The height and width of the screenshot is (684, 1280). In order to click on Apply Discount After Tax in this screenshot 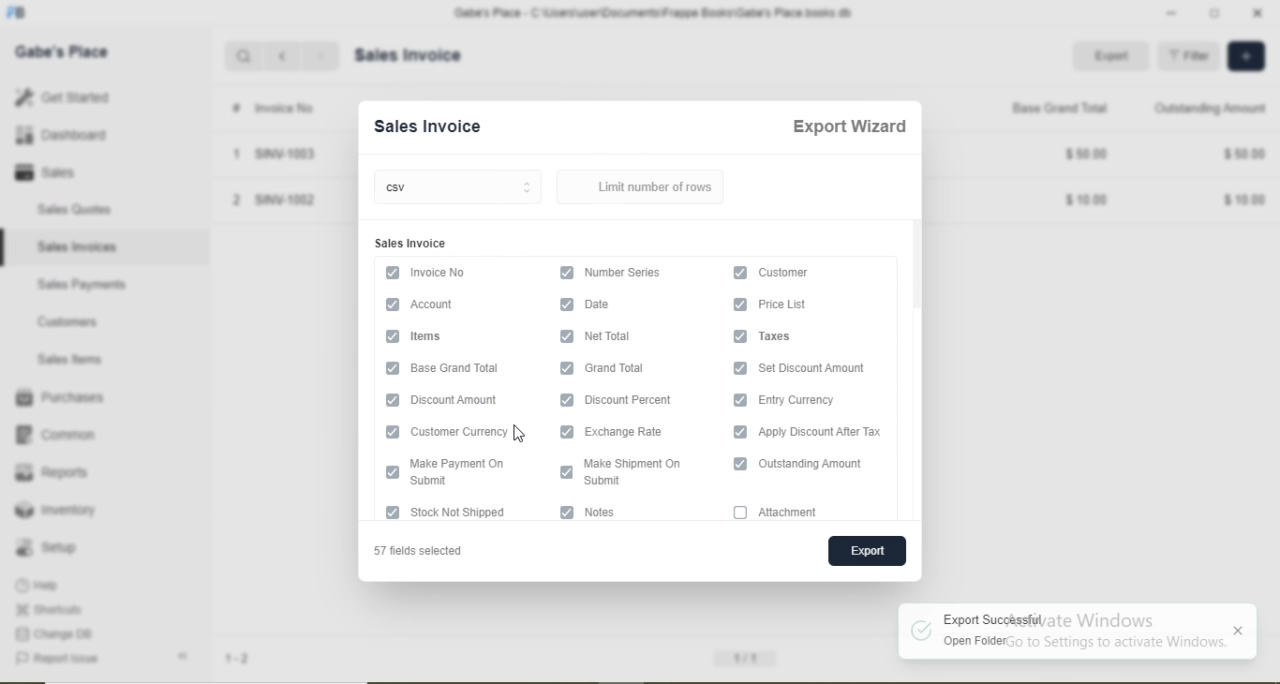, I will do `click(830, 432)`.